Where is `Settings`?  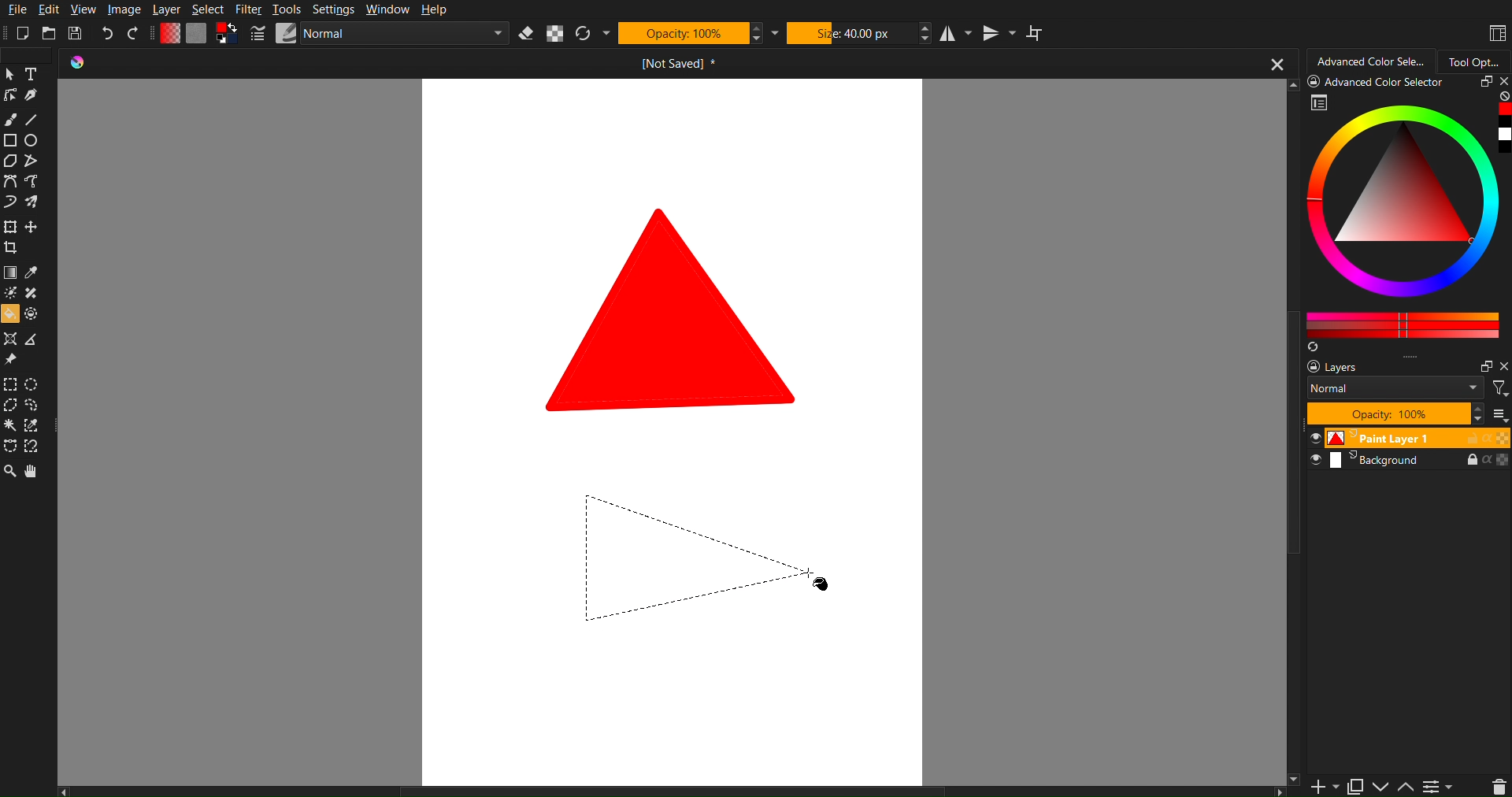
Settings is located at coordinates (334, 10).